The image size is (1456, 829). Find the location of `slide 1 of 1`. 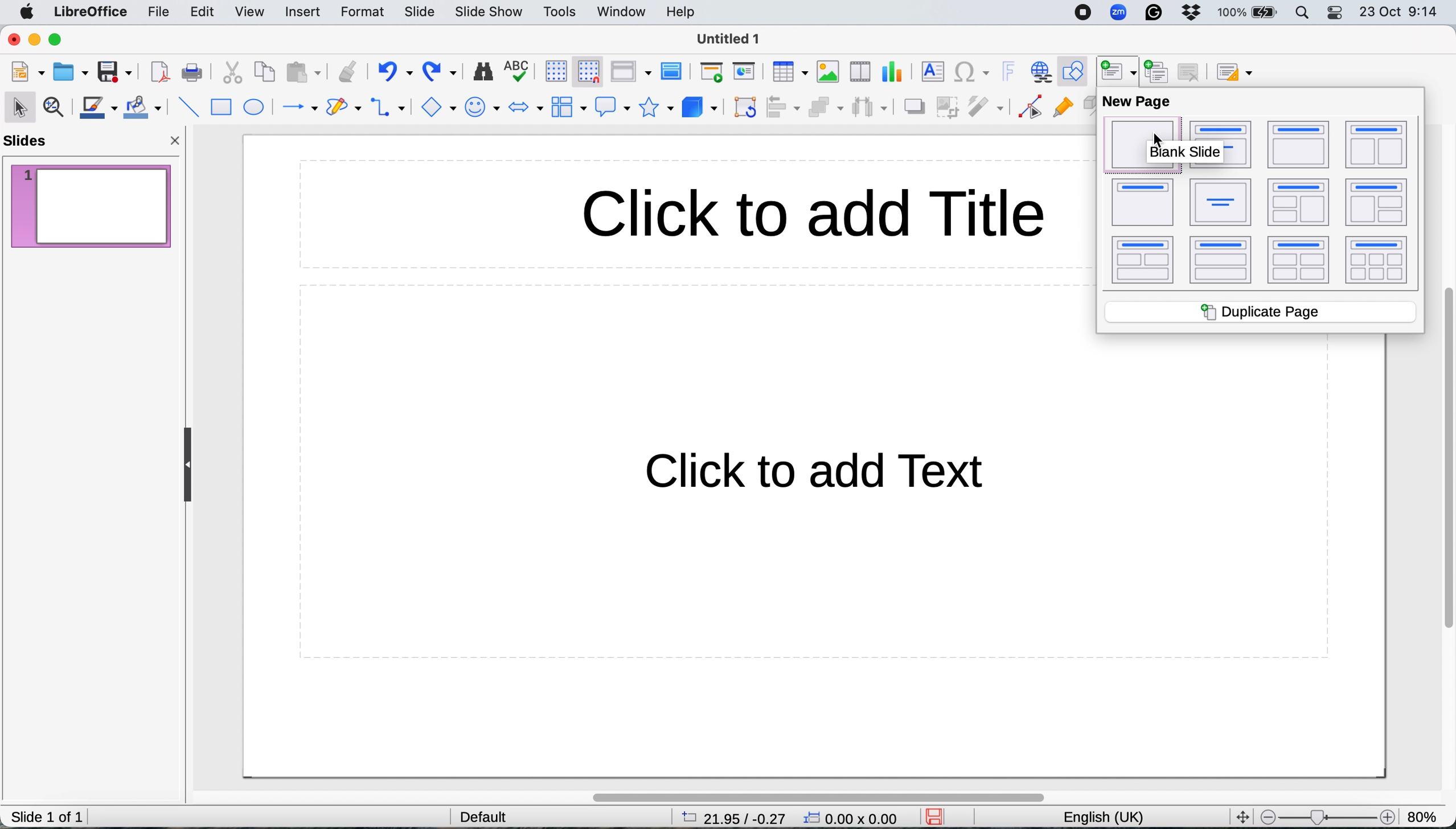

slide 1 of 1 is located at coordinates (47, 816).